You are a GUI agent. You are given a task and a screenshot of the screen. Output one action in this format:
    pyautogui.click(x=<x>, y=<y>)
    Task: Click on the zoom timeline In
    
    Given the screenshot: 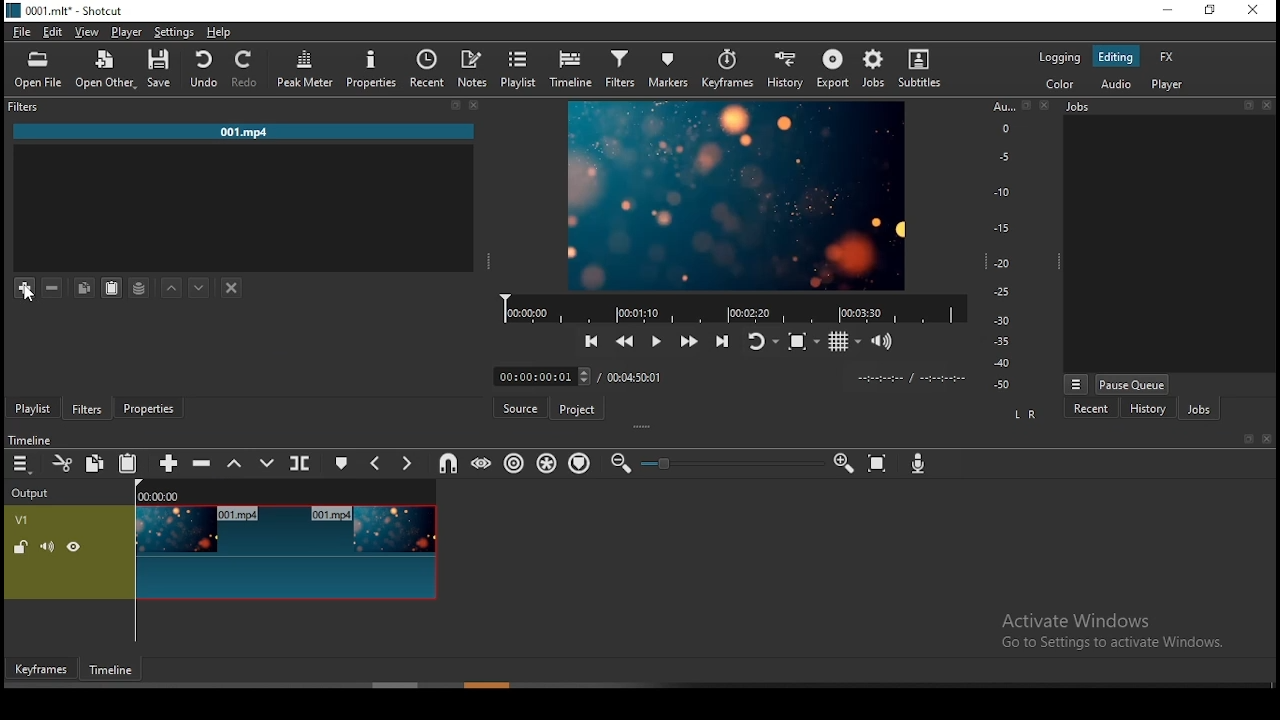 What is the action you would take?
    pyautogui.click(x=841, y=464)
    